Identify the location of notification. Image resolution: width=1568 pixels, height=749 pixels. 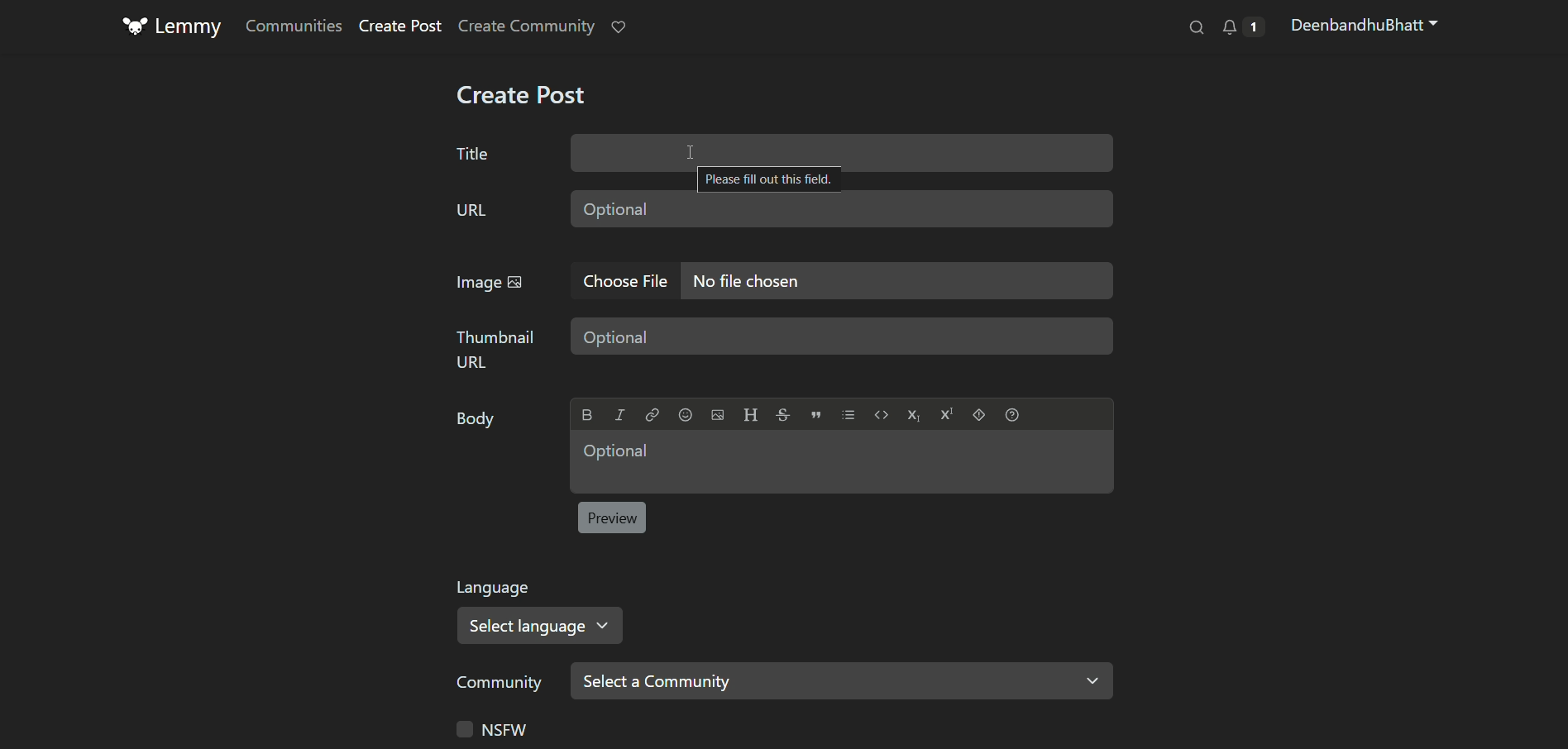
(620, 28).